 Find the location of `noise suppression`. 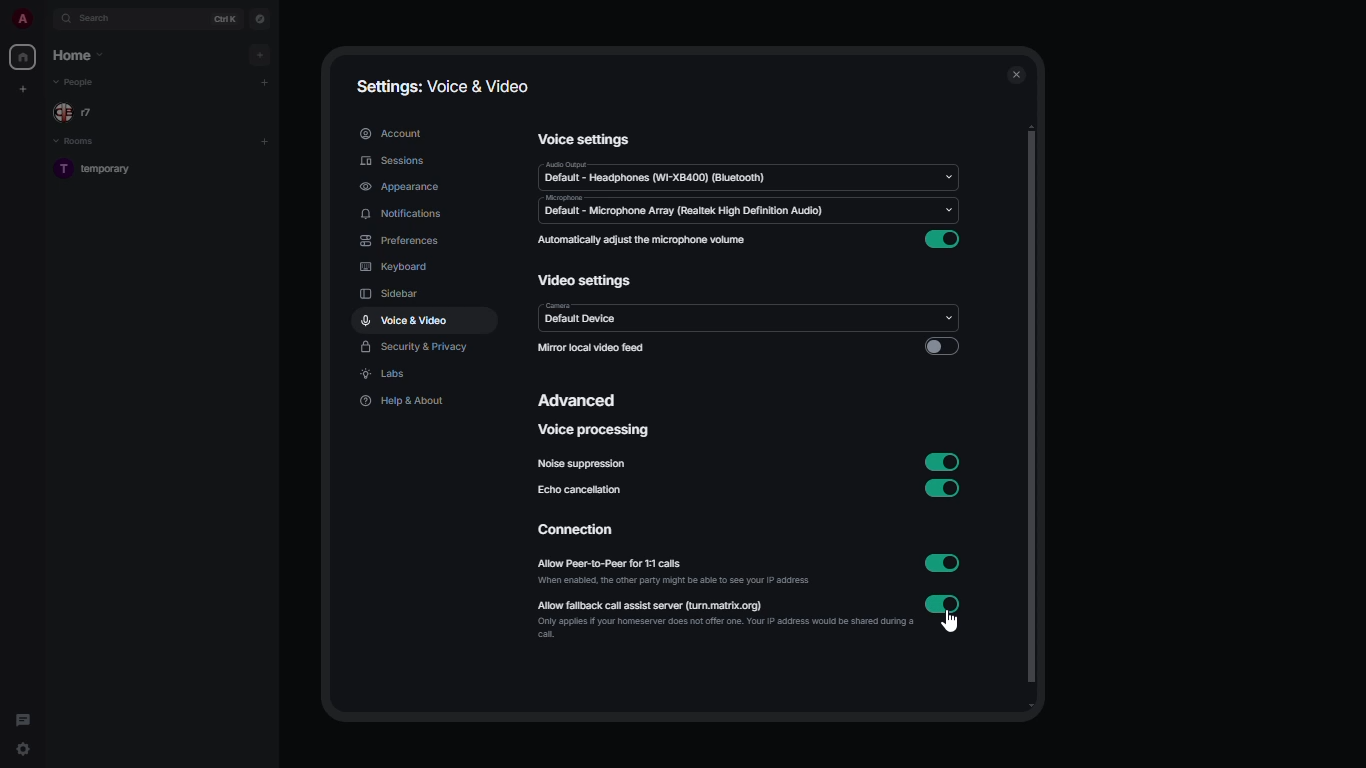

noise suppression is located at coordinates (583, 465).